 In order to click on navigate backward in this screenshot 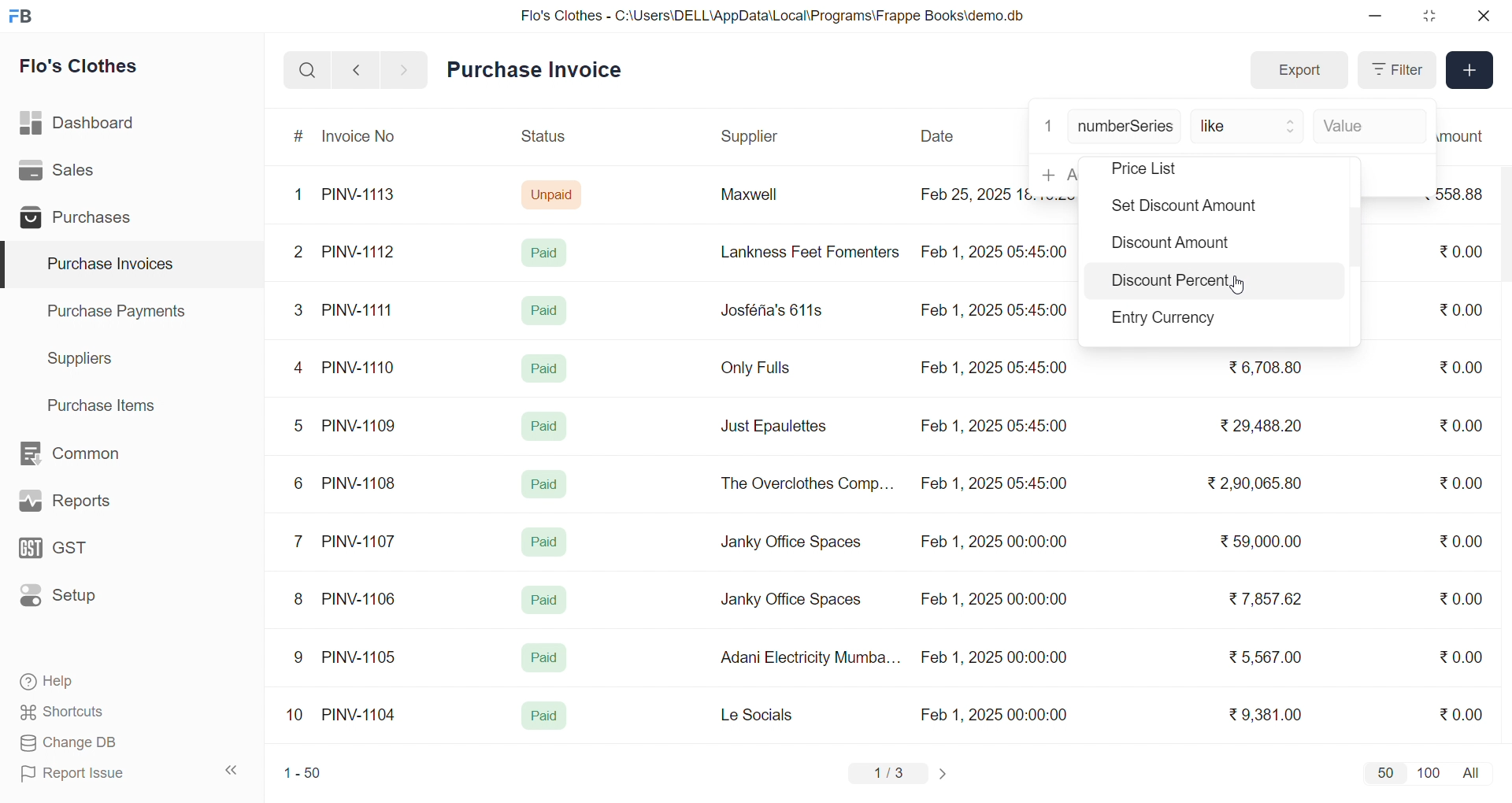, I will do `click(356, 69)`.